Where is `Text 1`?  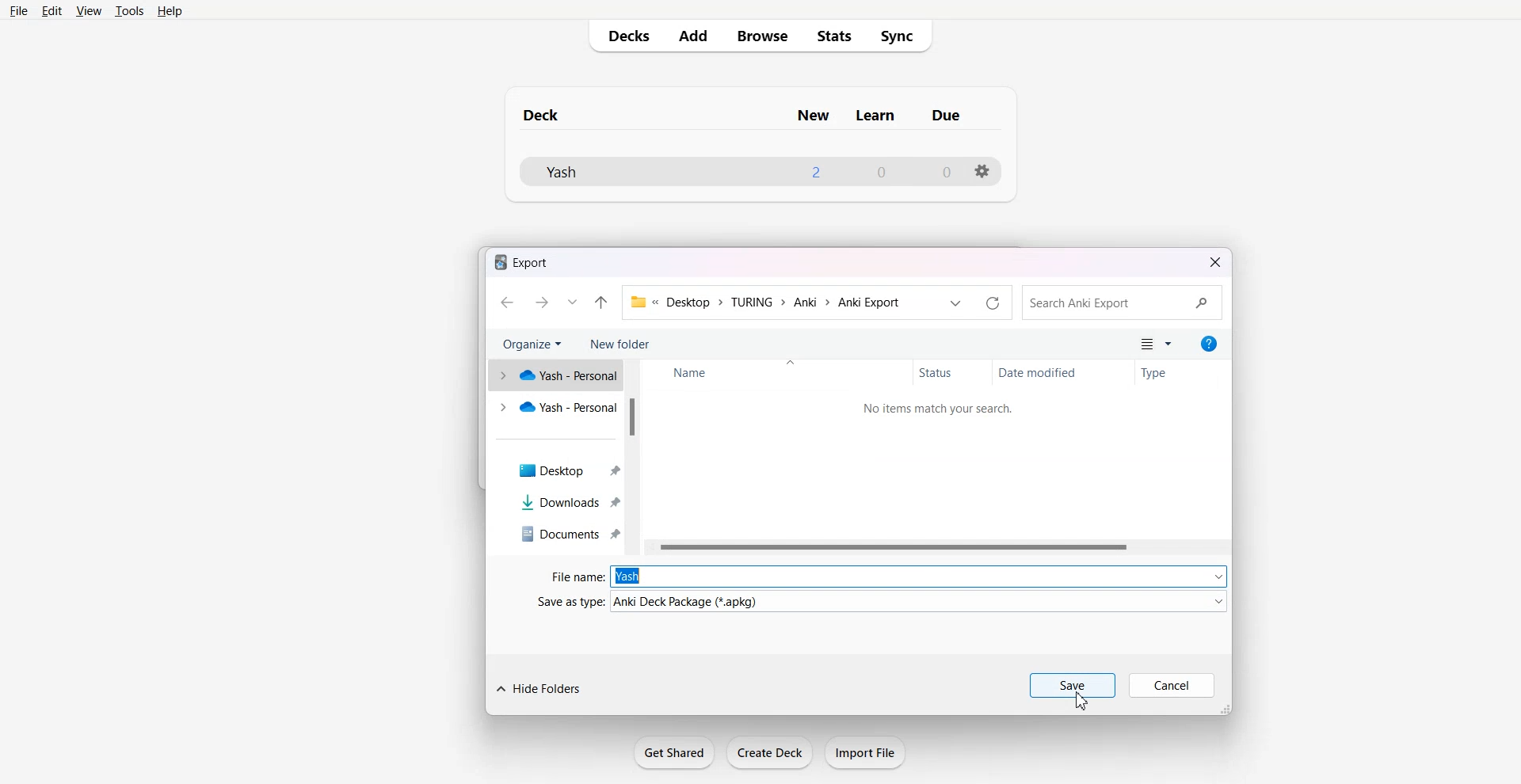 Text 1 is located at coordinates (524, 261).